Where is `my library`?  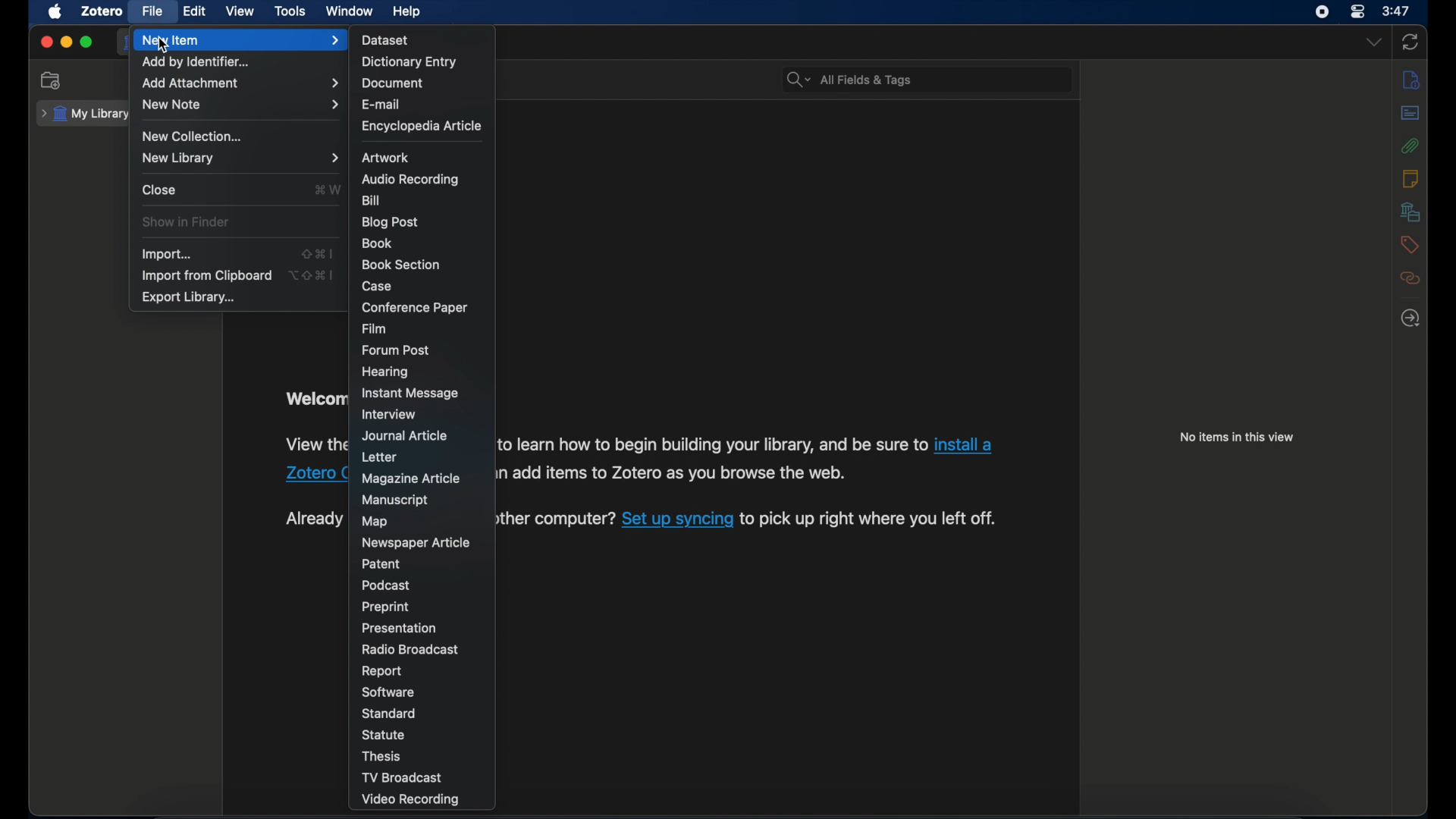 my library is located at coordinates (83, 114).